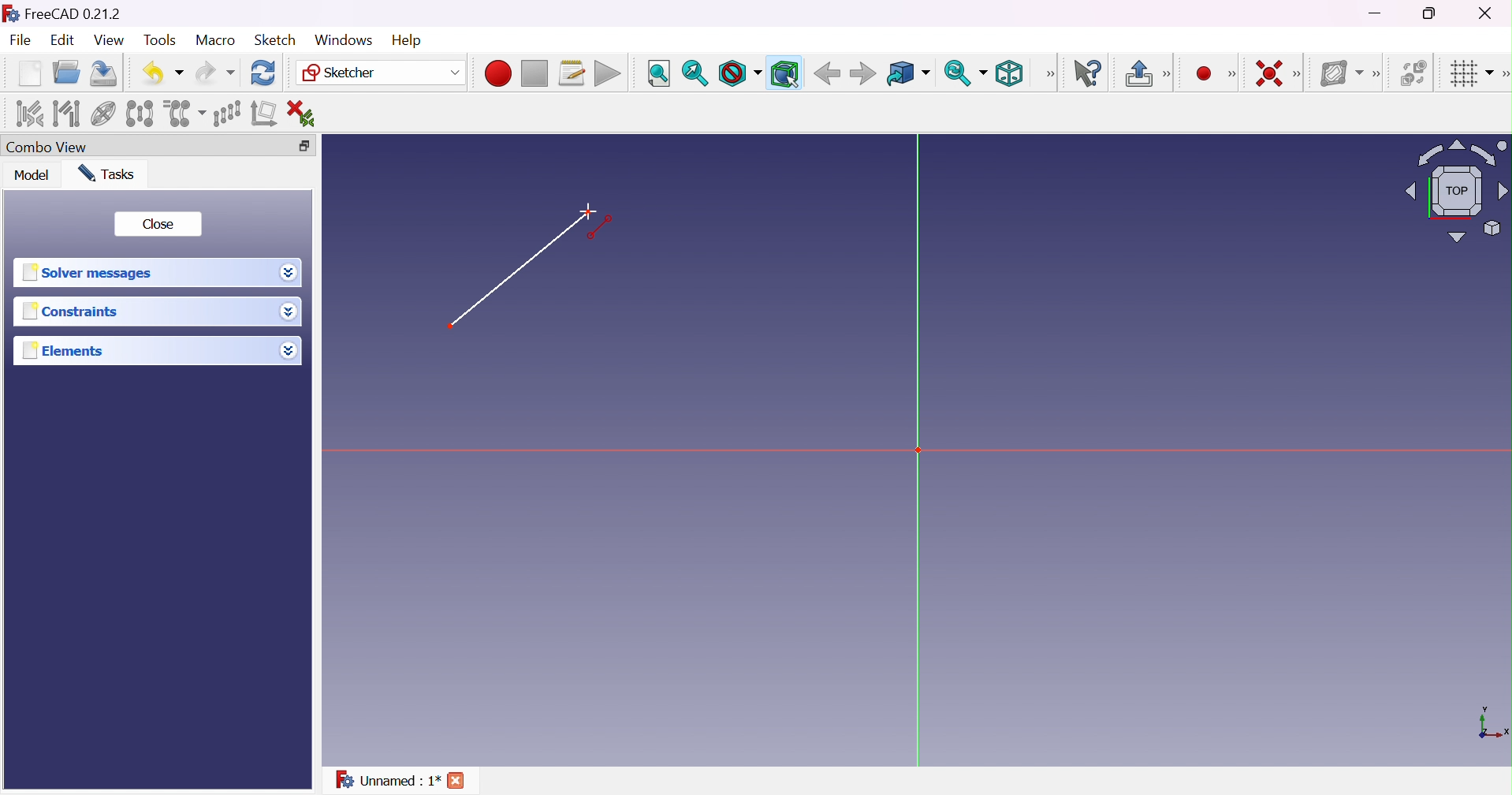 This screenshot has width=1512, height=795. What do you see at coordinates (1381, 76) in the screenshot?
I see `Sketcher B-spline tools` at bounding box center [1381, 76].